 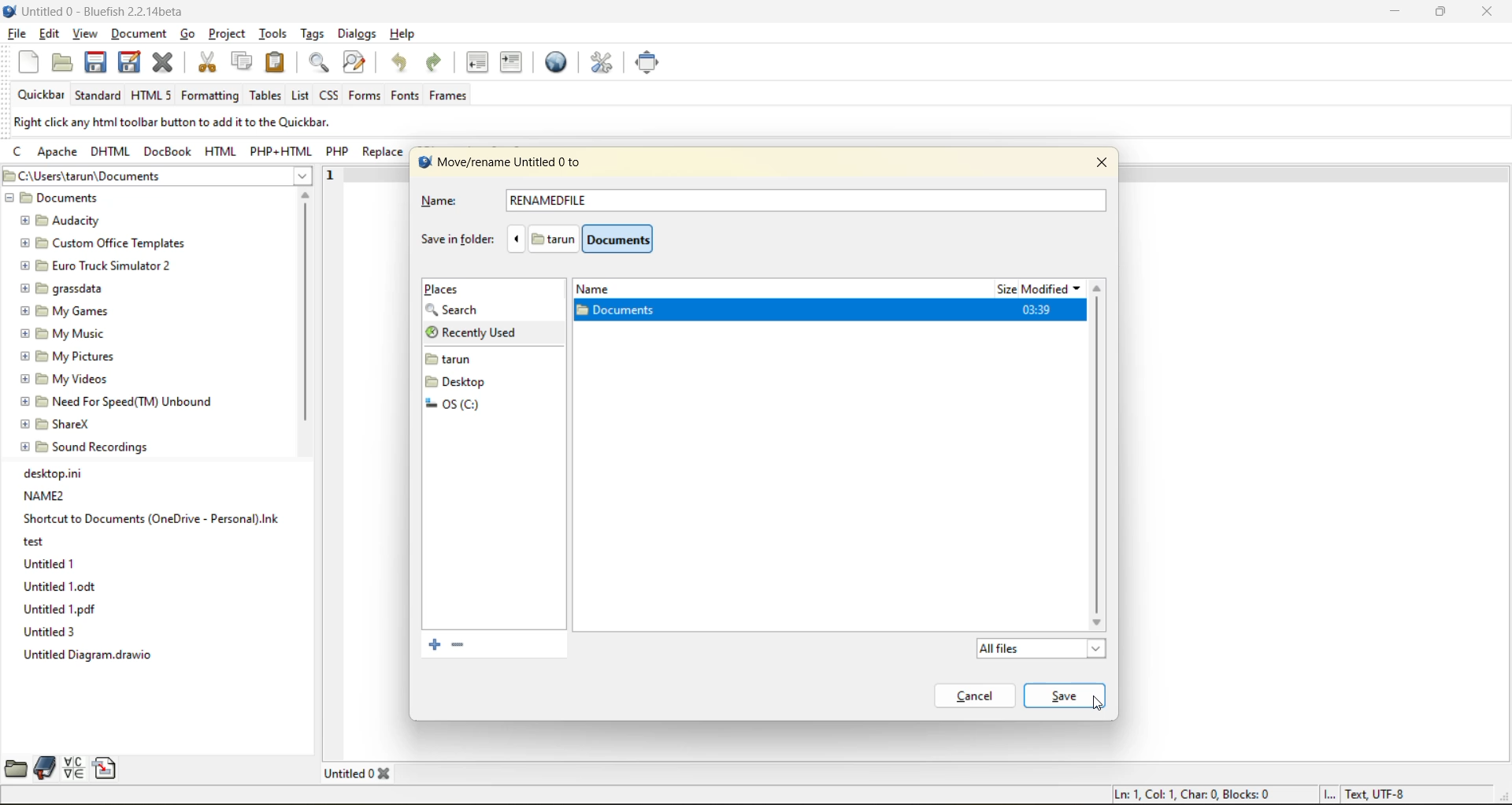 I want to click on save, so click(x=95, y=62).